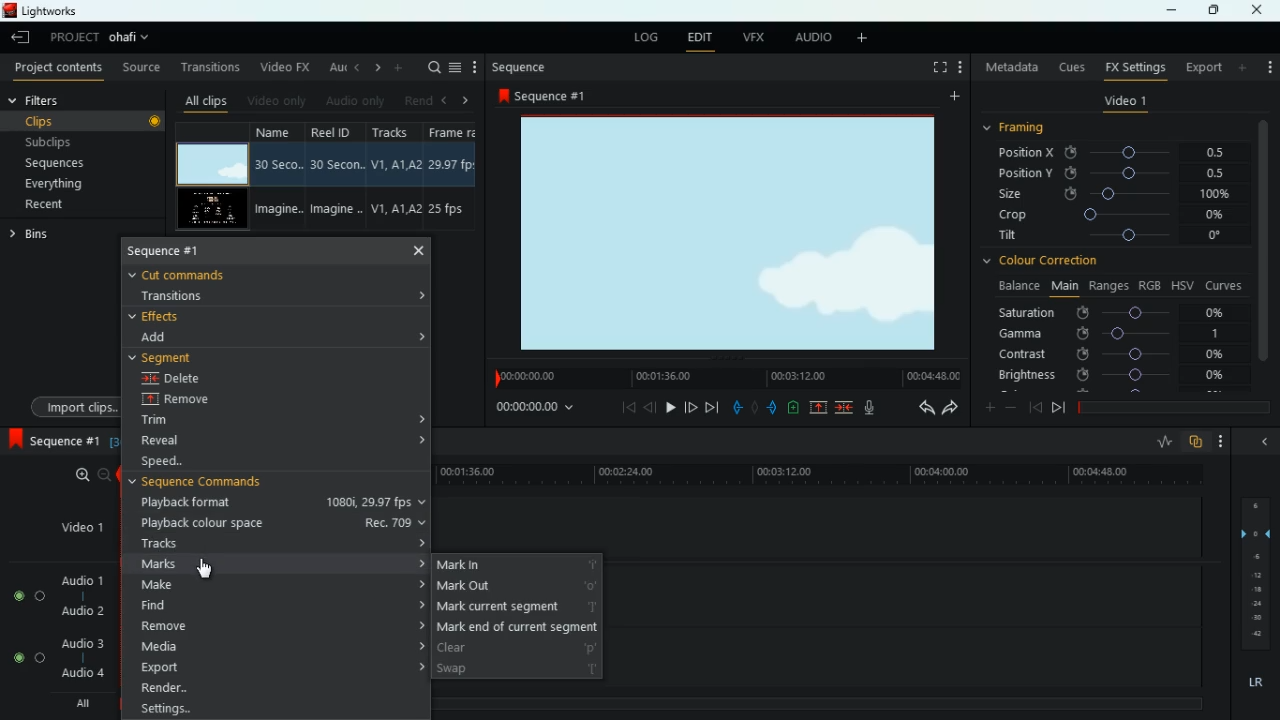 This screenshot has height=720, width=1280. What do you see at coordinates (1196, 443) in the screenshot?
I see `overlap` at bounding box center [1196, 443].